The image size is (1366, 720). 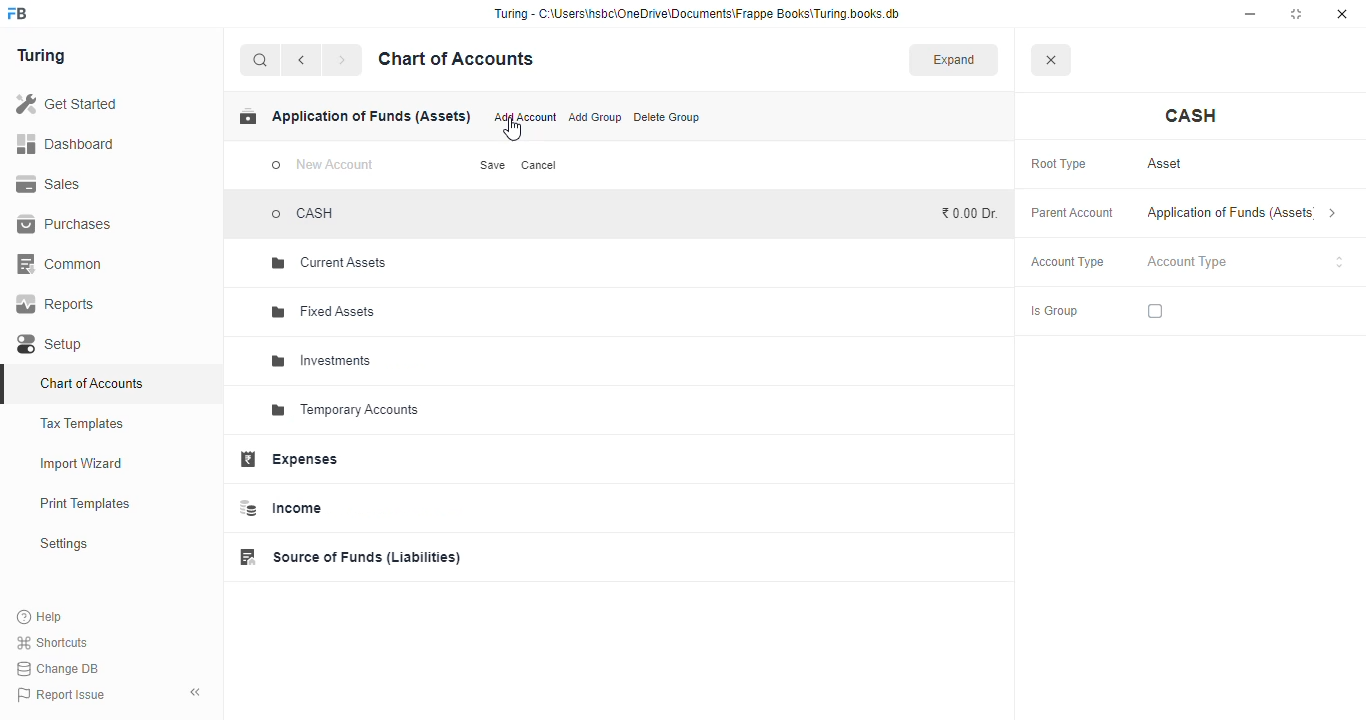 What do you see at coordinates (595, 117) in the screenshot?
I see `add group` at bounding box center [595, 117].